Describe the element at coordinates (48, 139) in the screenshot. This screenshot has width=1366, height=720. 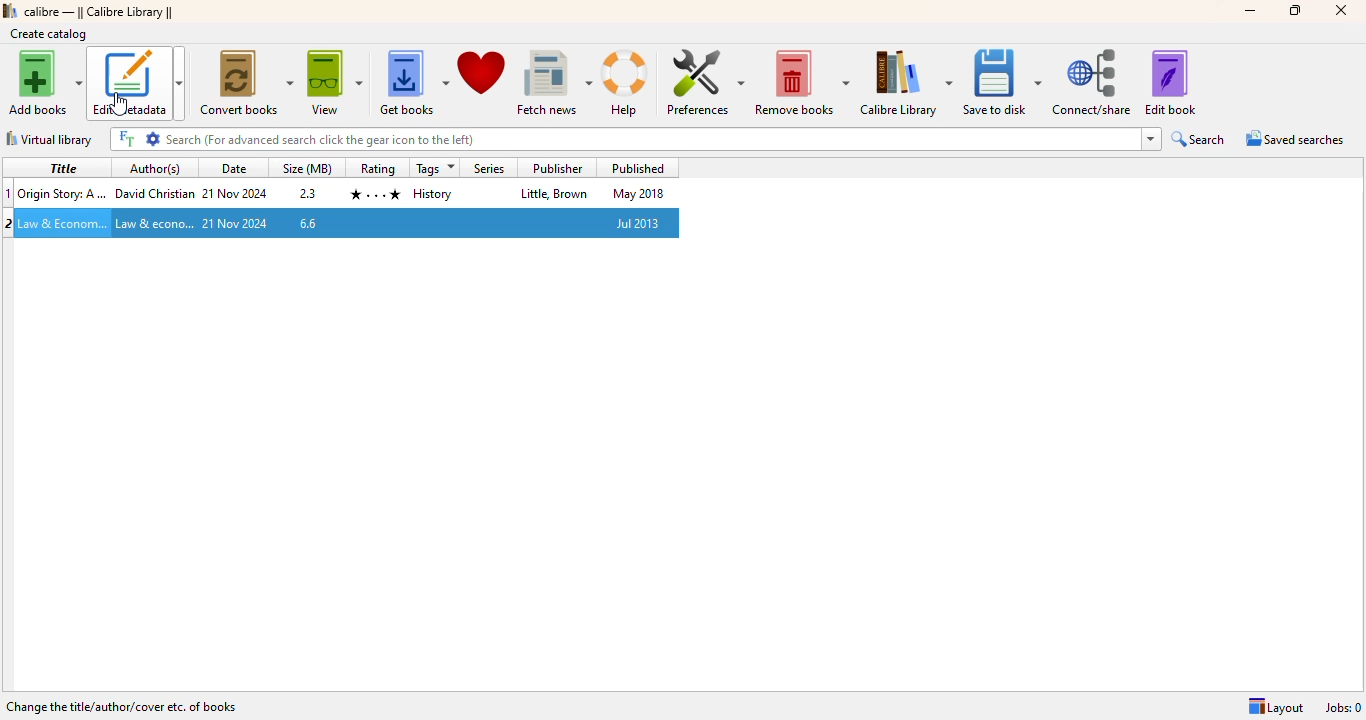
I see `virtual library` at that location.